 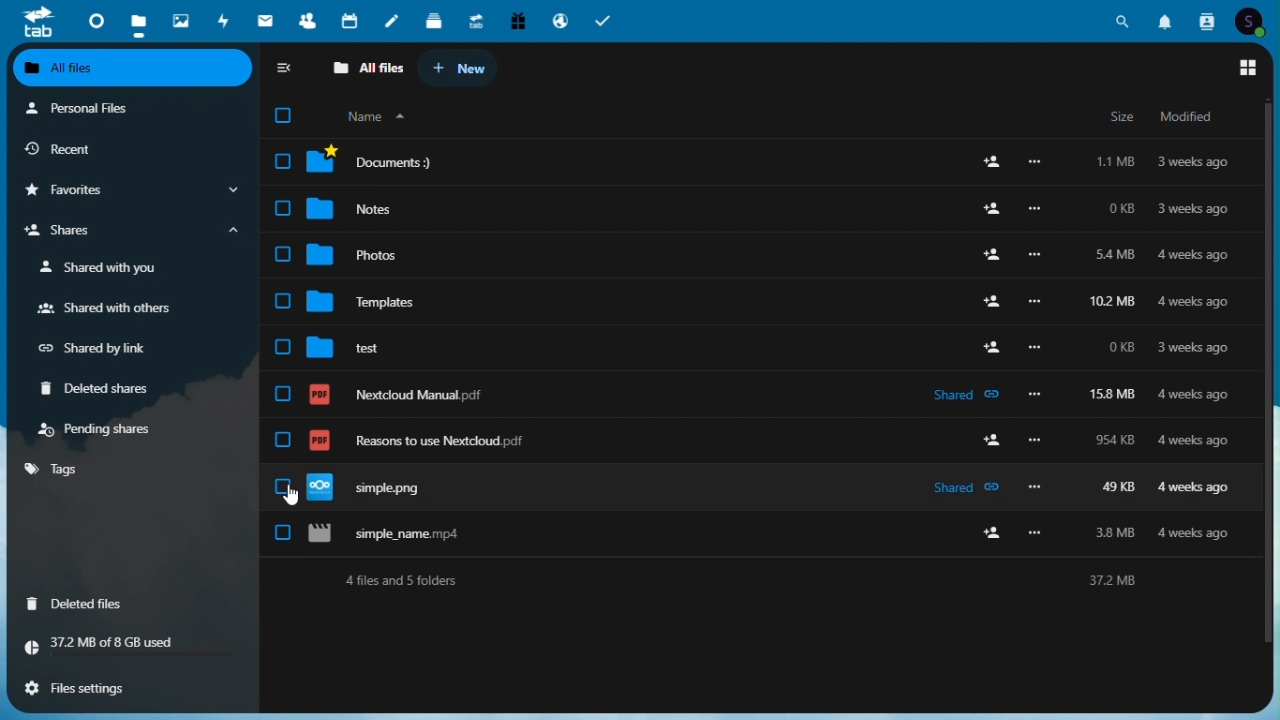 What do you see at coordinates (291, 494) in the screenshot?
I see `cursor` at bounding box center [291, 494].